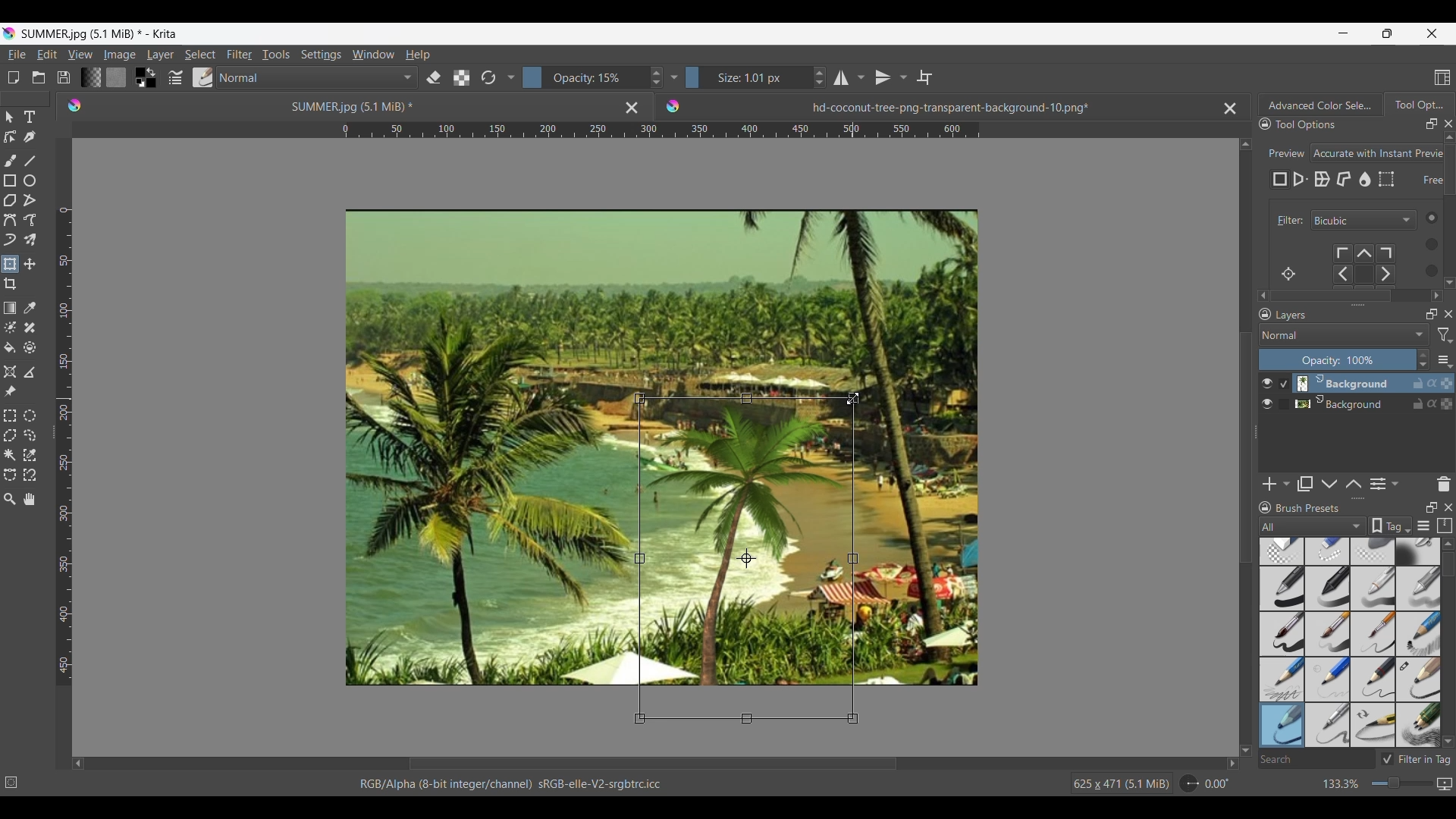 The width and height of the screenshot is (1456, 819). I want to click on Show/Hide layer, so click(1267, 384).